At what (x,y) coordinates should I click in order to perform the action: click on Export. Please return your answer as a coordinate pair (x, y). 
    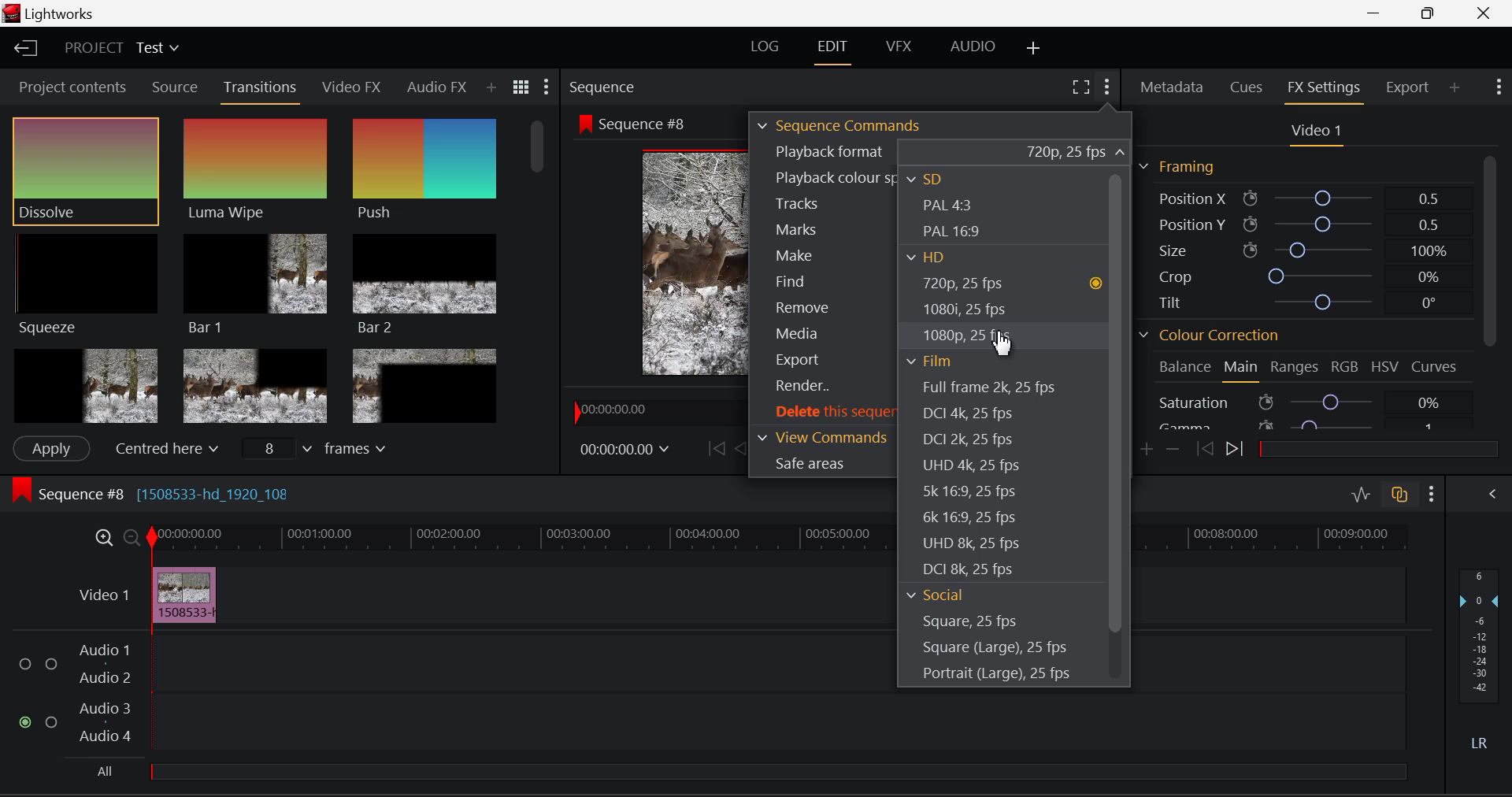
    Looking at the image, I should click on (1405, 87).